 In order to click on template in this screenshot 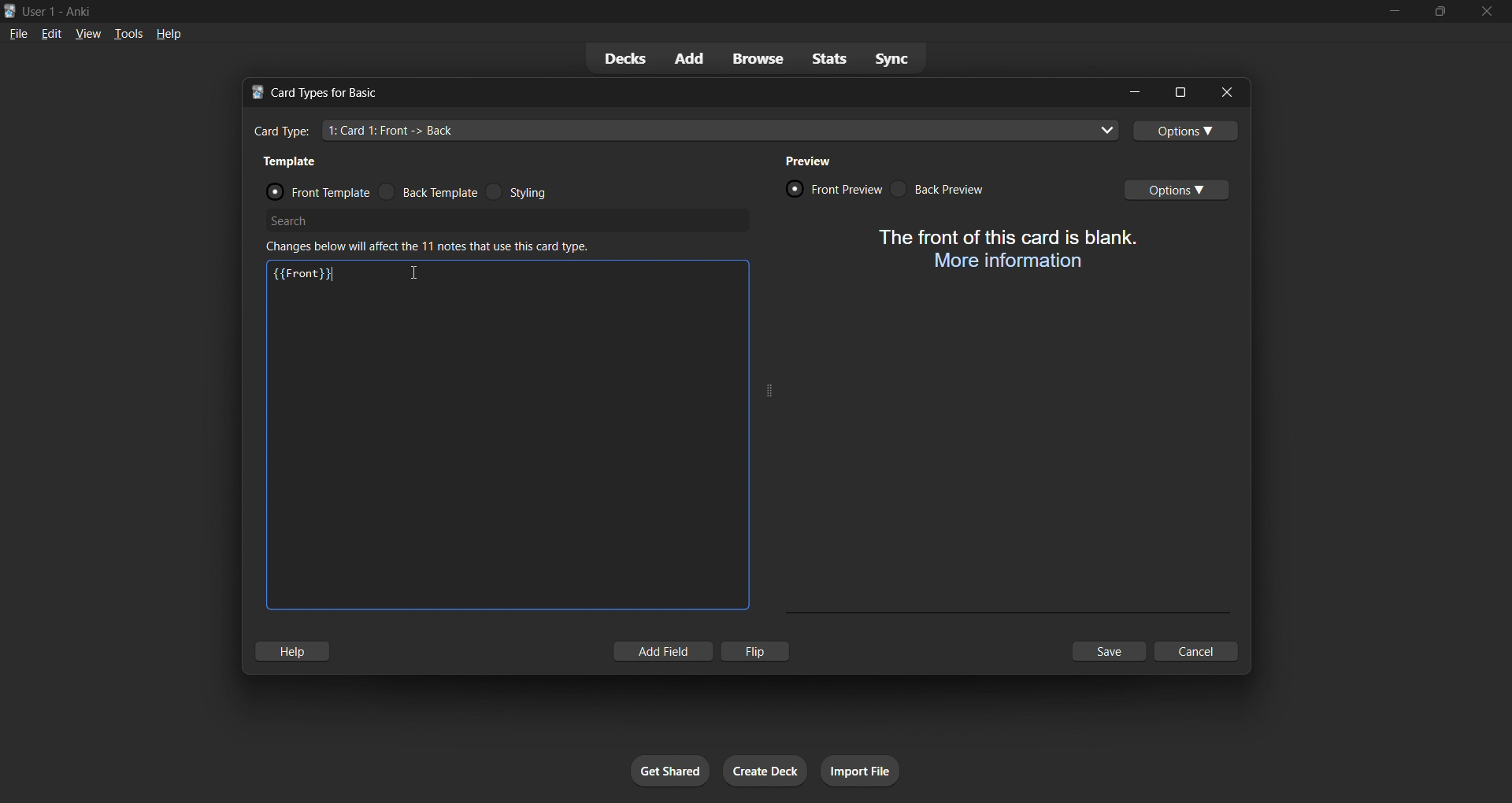, I will do `click(295, 160)`.